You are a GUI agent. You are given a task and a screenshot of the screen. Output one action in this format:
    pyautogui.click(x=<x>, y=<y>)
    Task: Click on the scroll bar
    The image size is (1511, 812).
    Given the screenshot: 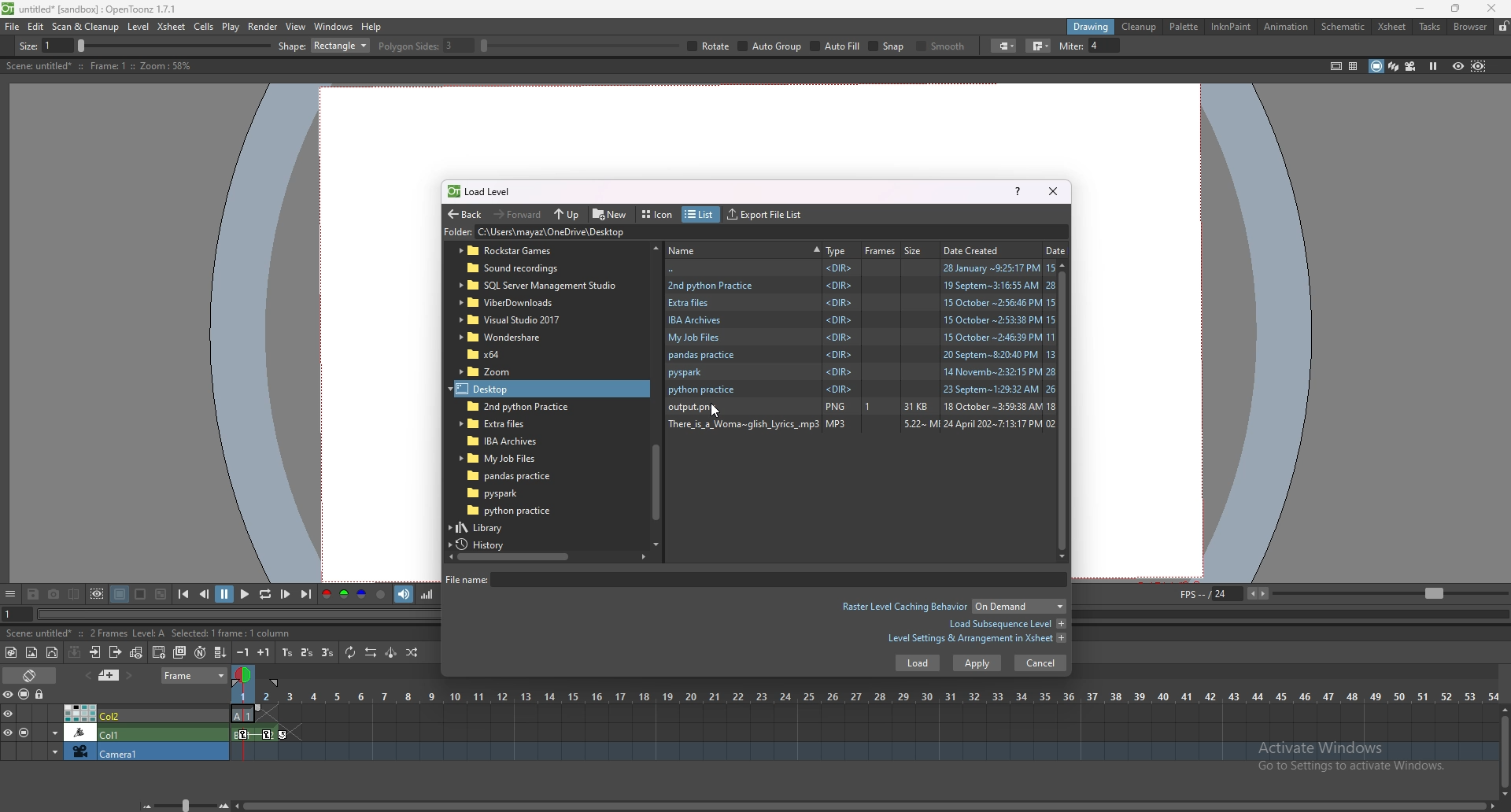 What is the action you would take?
    pyautogui.click(x=1066, y=410)
    